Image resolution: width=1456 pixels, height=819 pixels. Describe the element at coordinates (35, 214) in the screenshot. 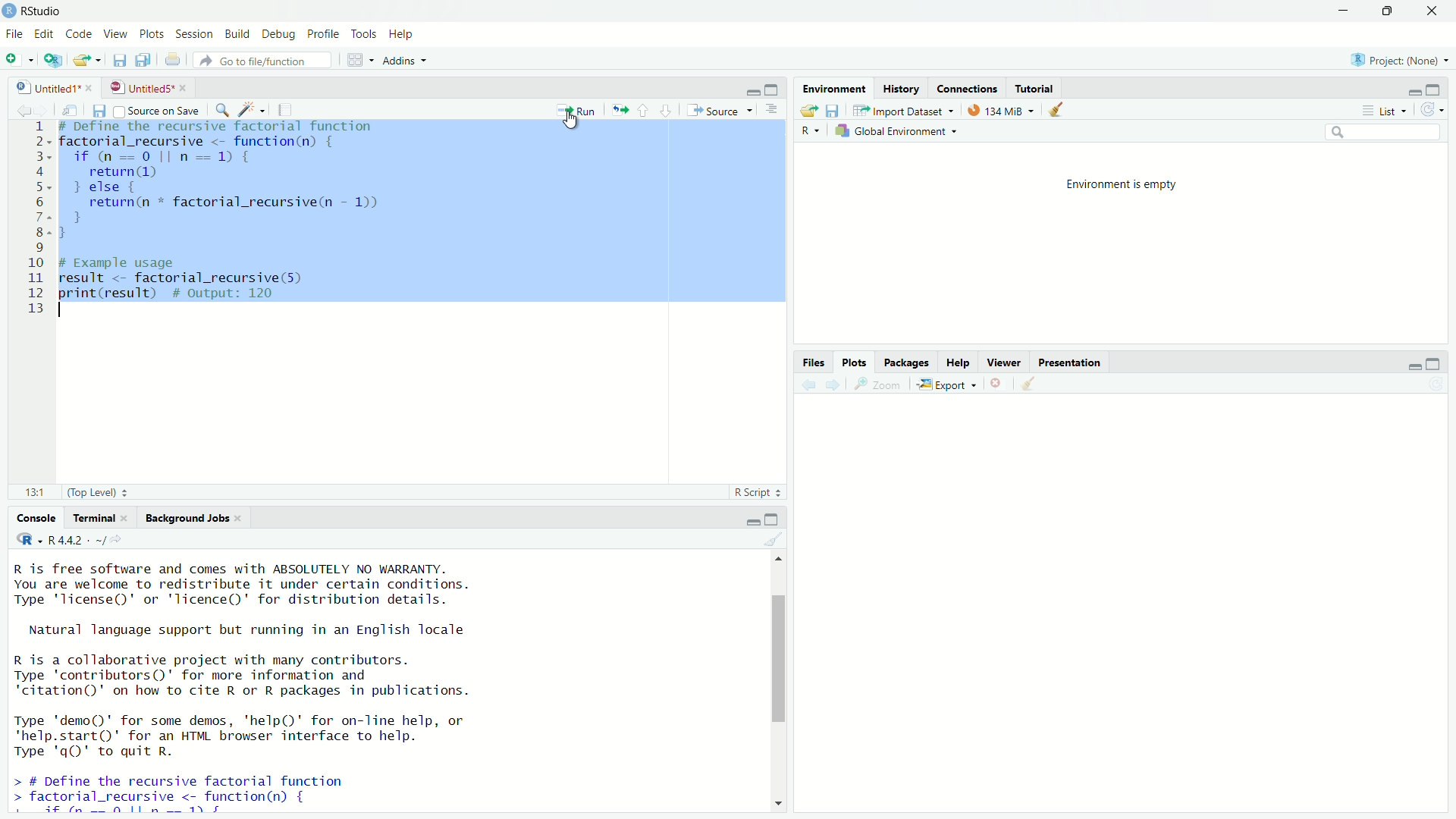

I see `12345678910111213` at that location.